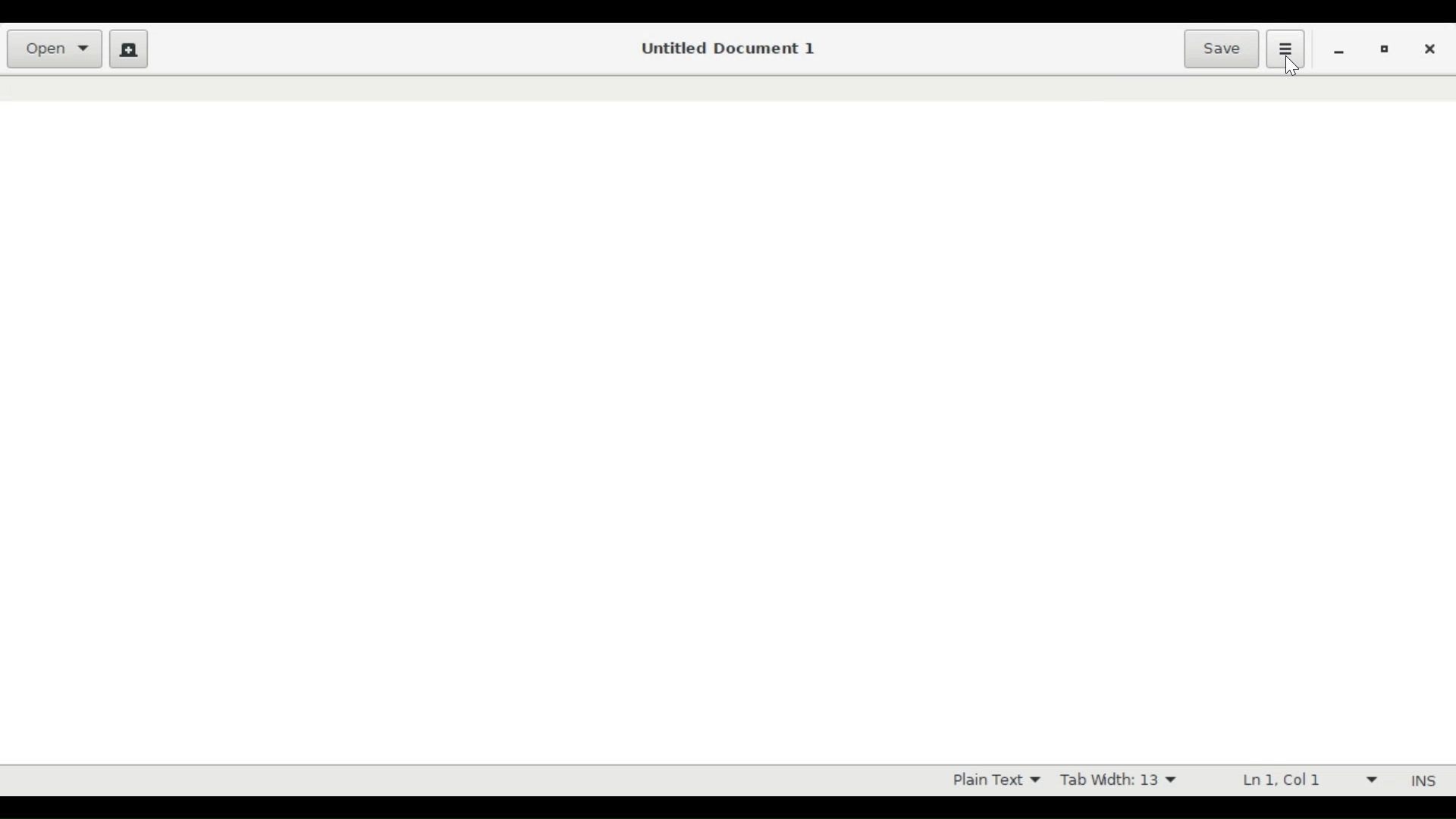  I want to click on minimize, so click(1336, 51).